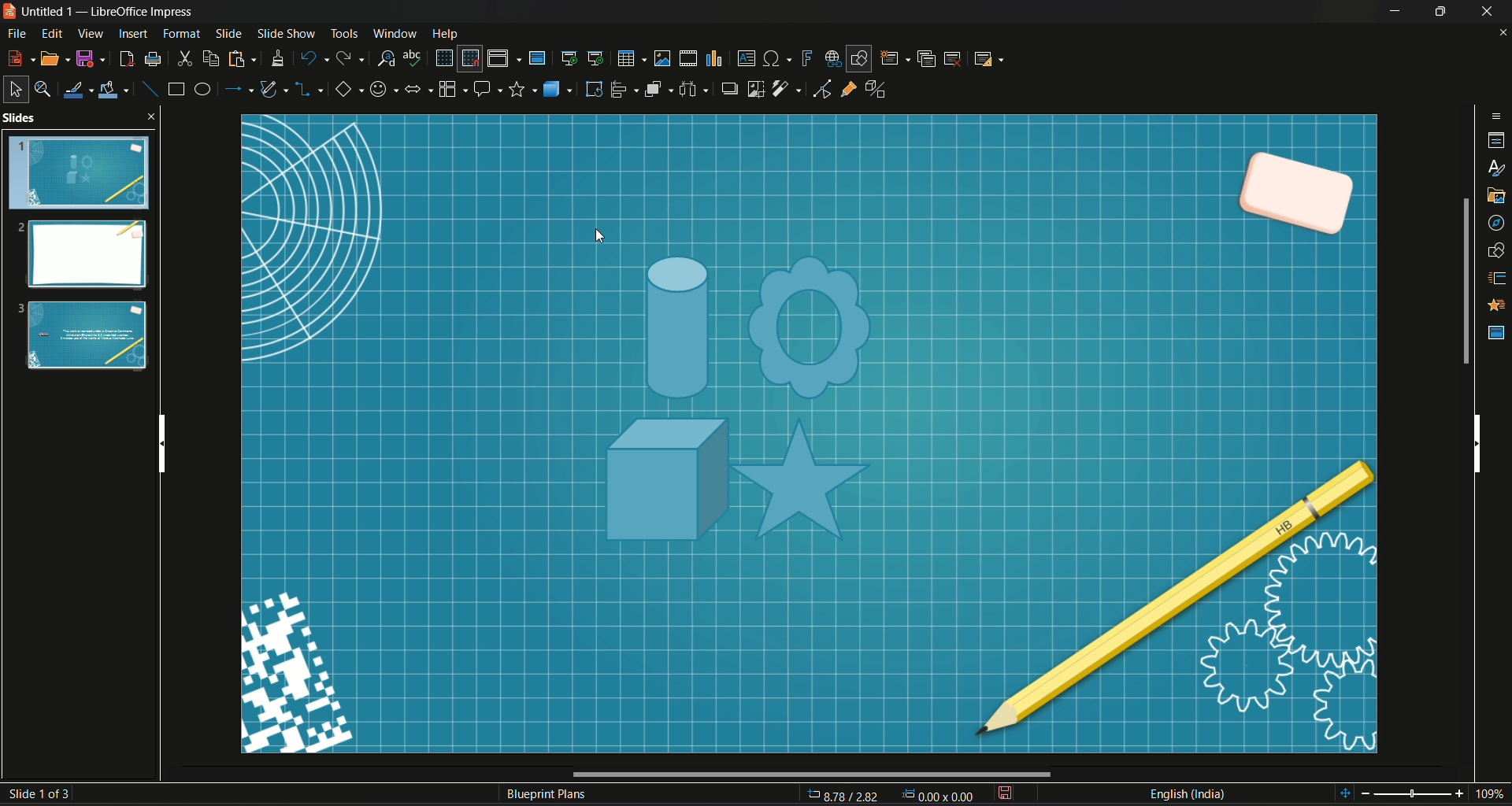 Image resolution: width=1512 pixels, height=806 pixels. I want to click on master slide, so click(536, 57).